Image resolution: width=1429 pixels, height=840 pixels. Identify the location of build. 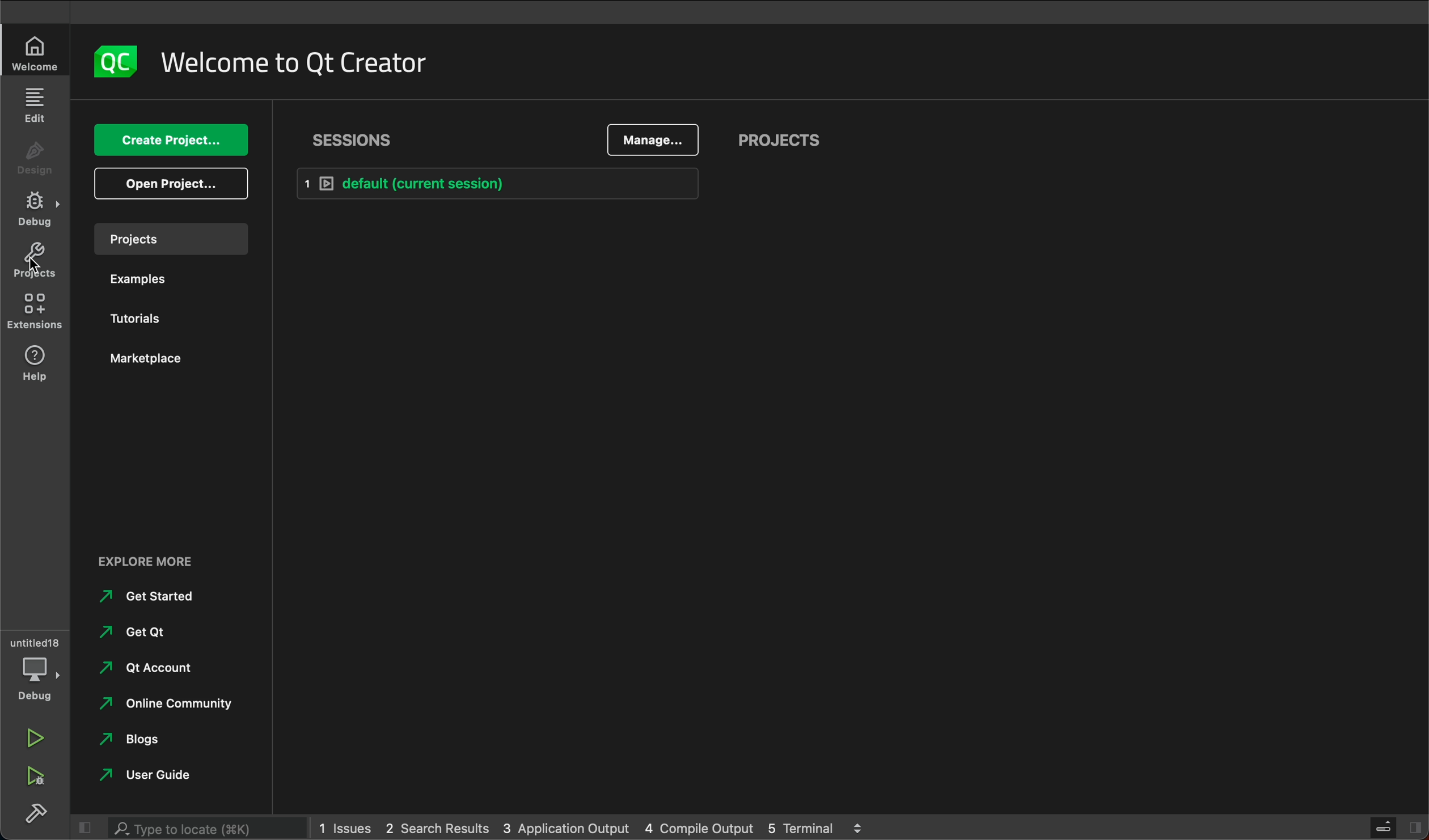
(34, 813).